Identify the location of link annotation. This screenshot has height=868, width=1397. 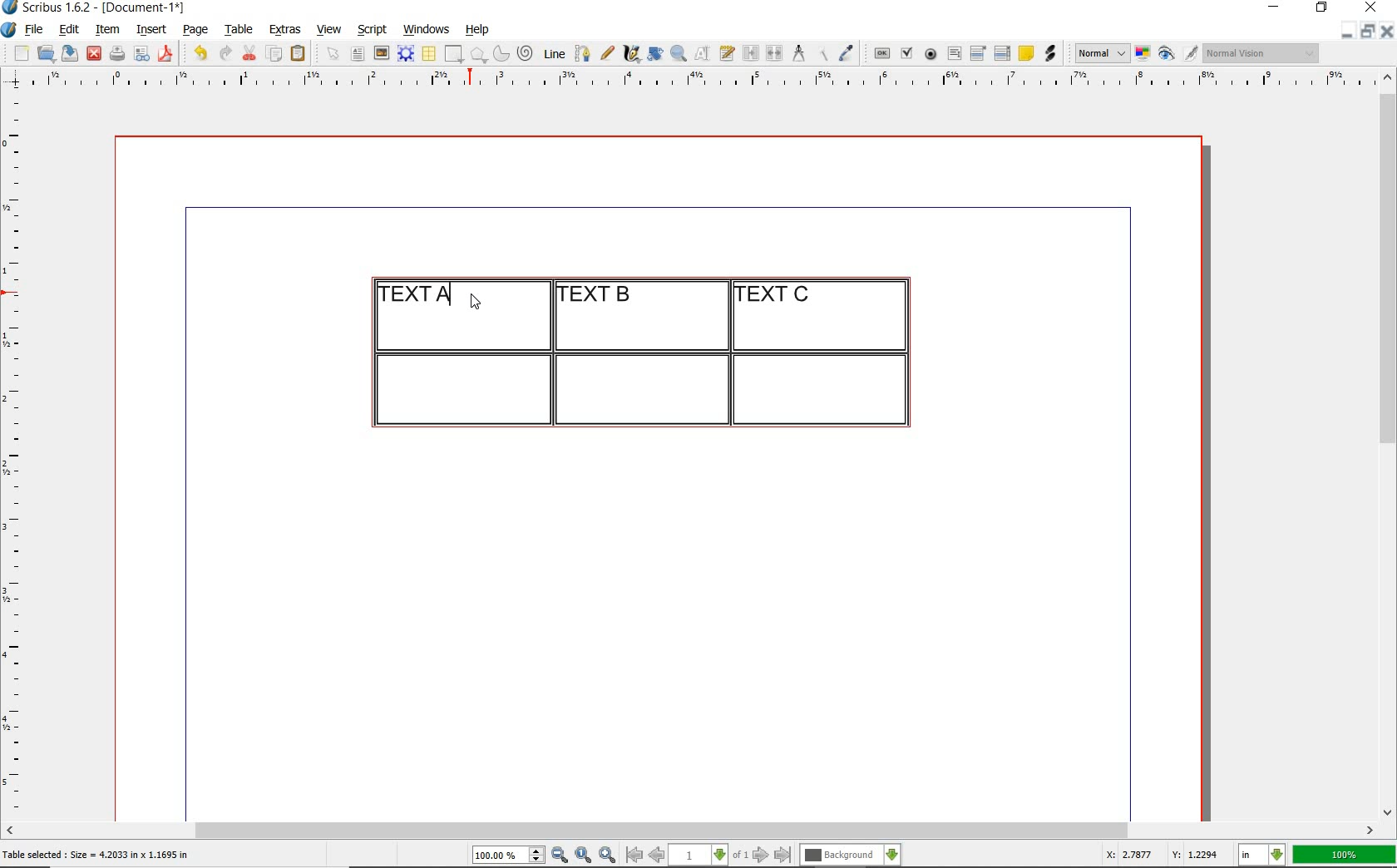
(1052, 53).